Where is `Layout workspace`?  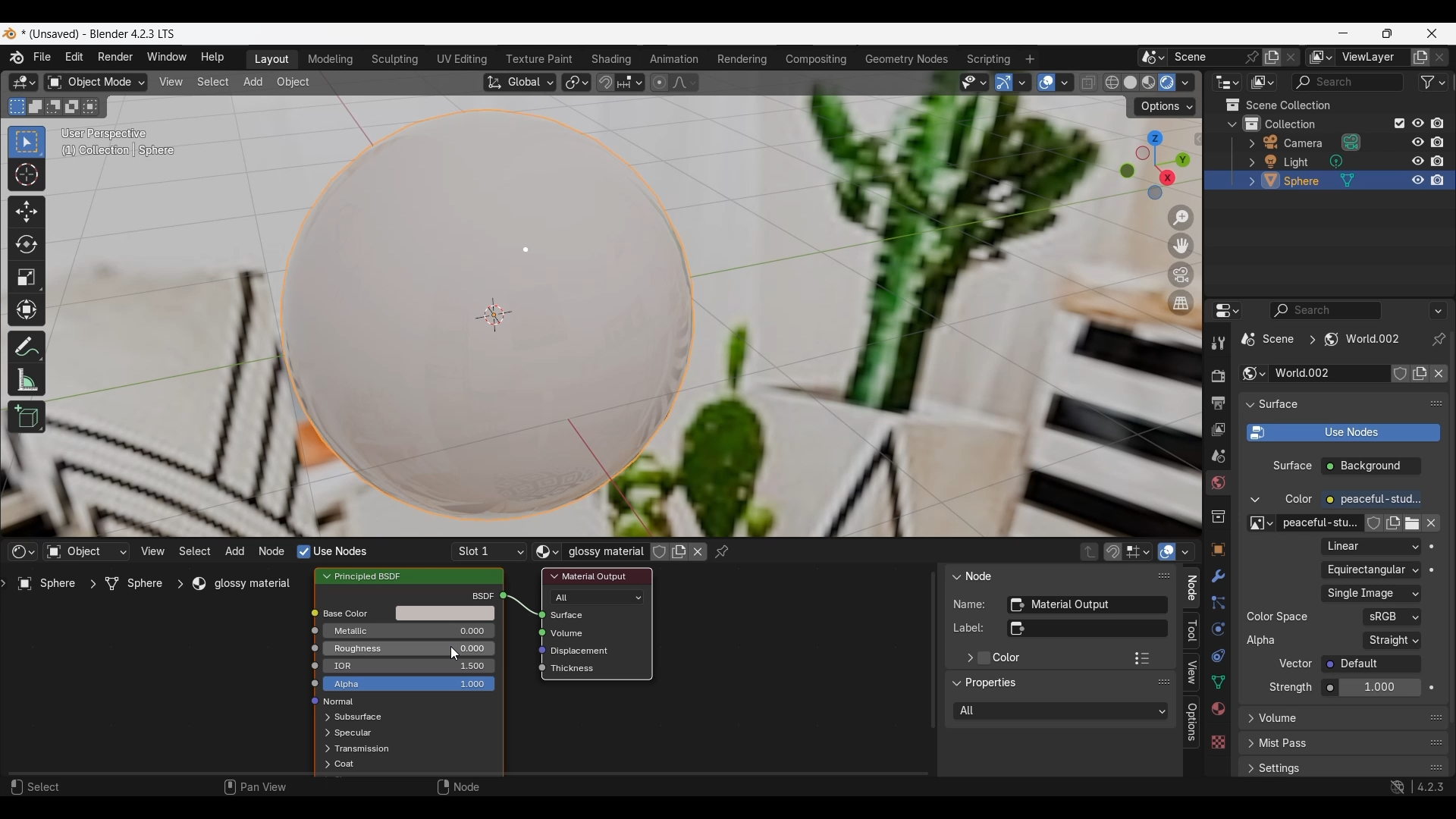
Layout workspace is located at coordinates (271, 60).